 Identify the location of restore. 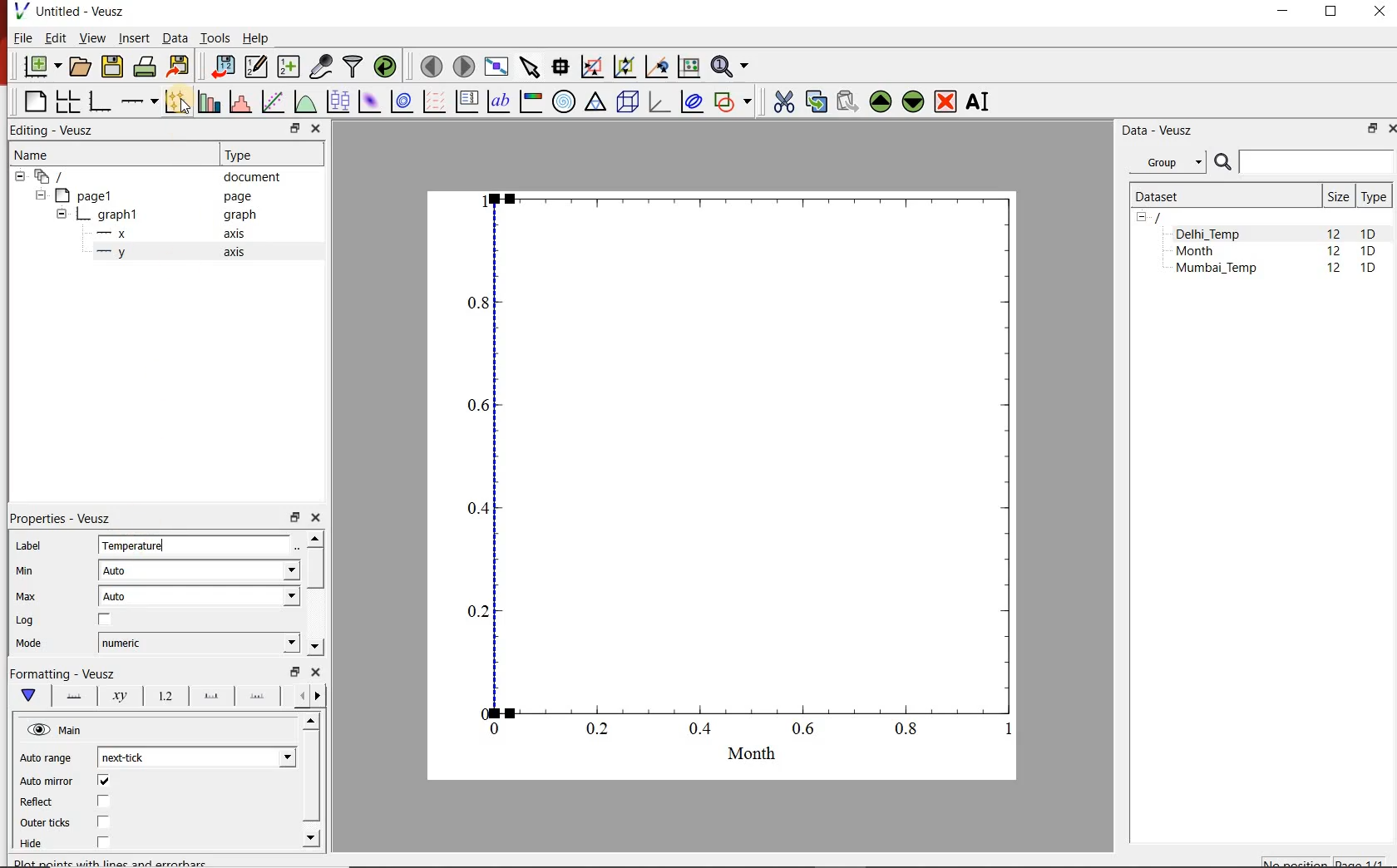
(296, 128).